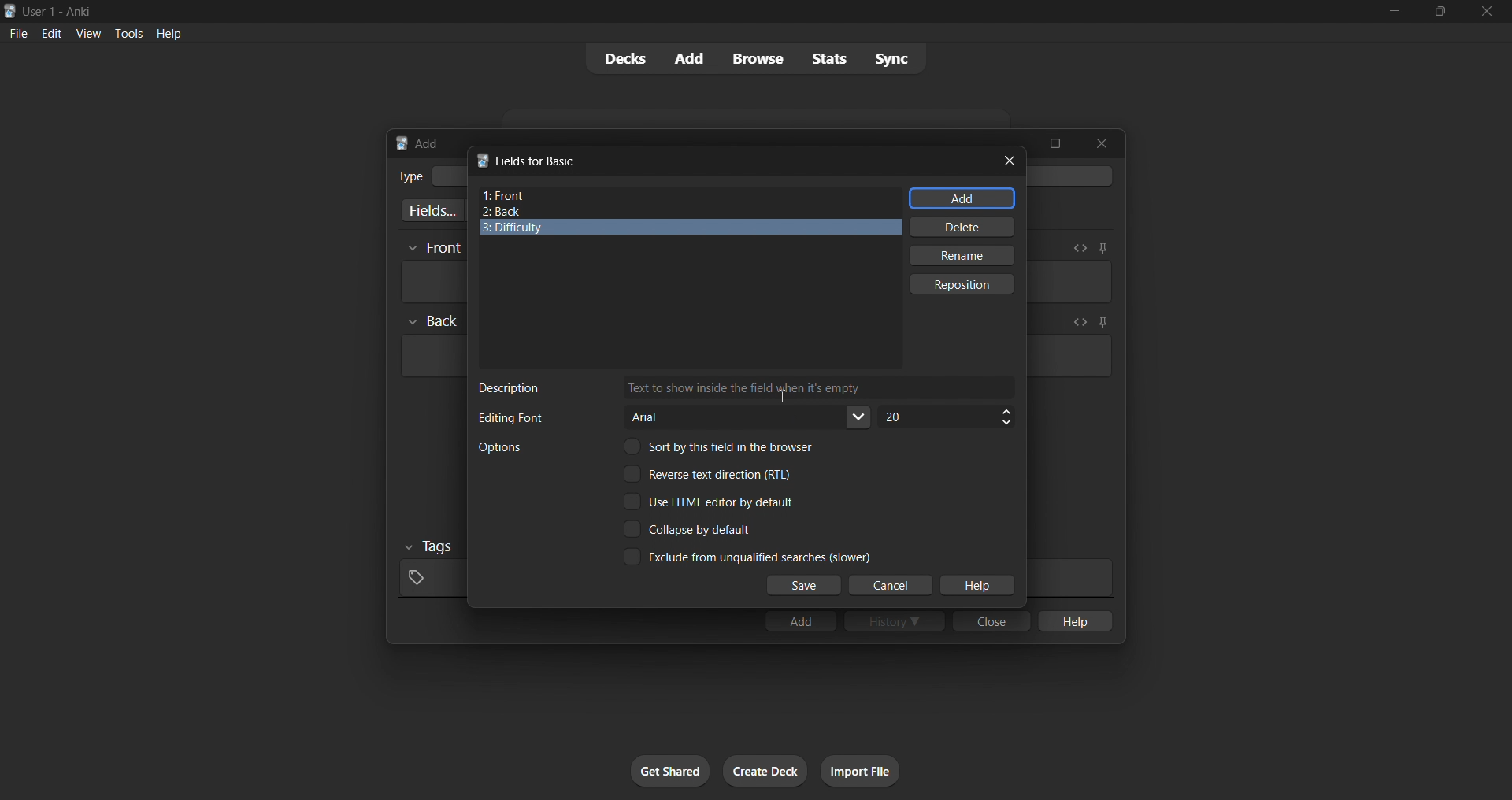 The image size is (1512, 800). I want to click on rename , so click(961, 255).